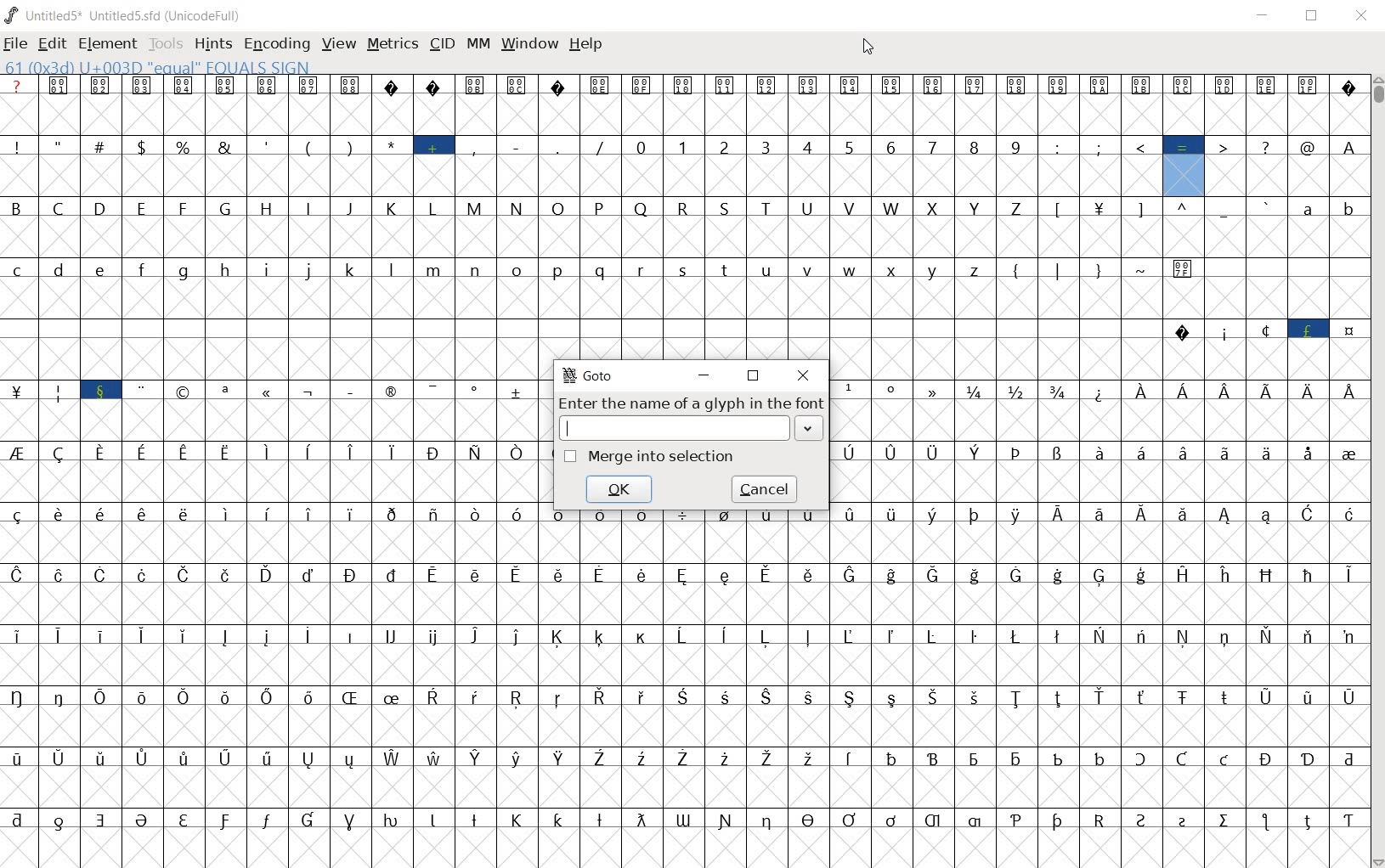 The height and width of the screenshot is (868, 1385). What do you see at coordinates (336, 43) in the screenshot?
I see `view` at bounding box center [336, 43].